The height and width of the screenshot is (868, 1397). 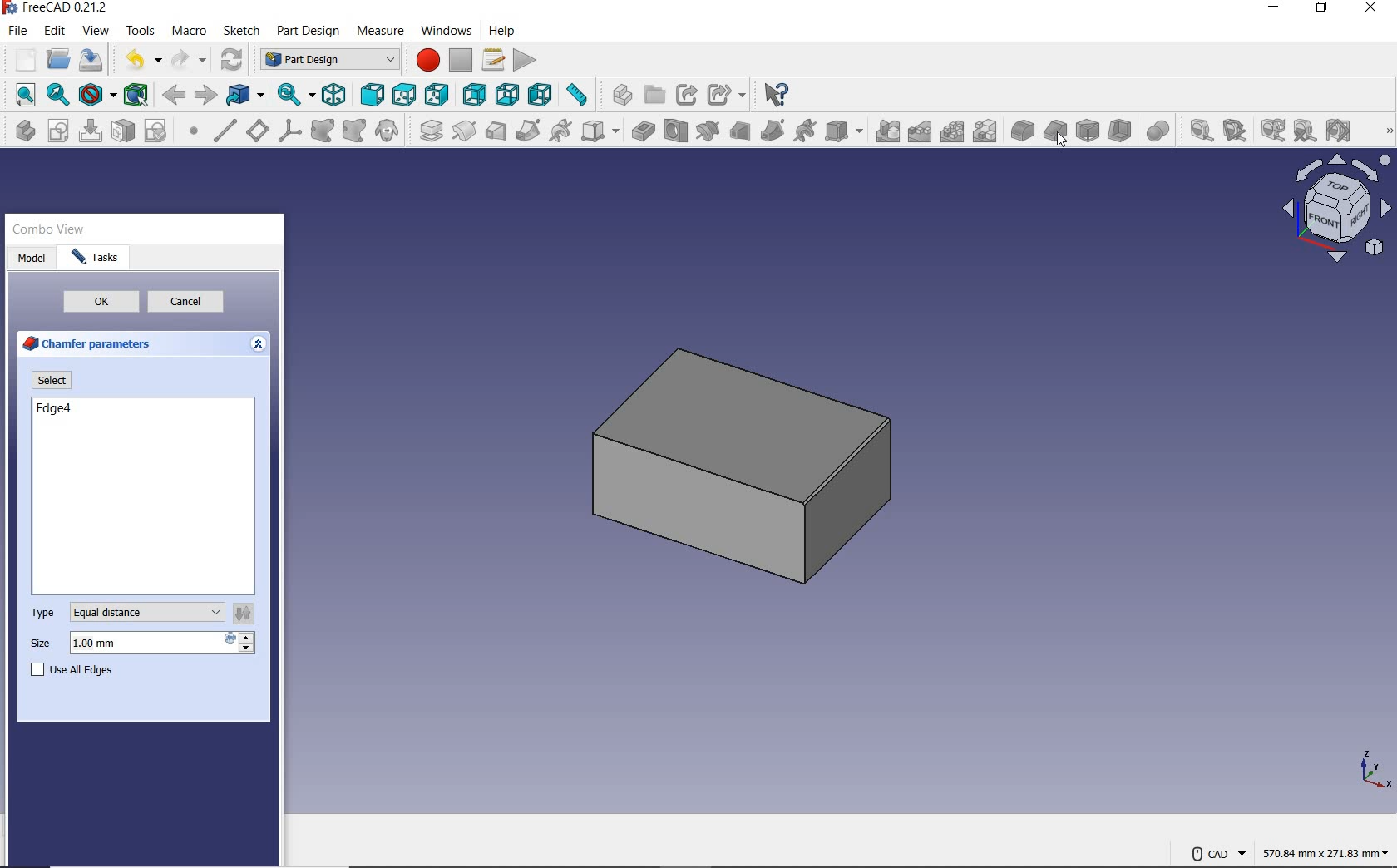 What do you see at coordinates (146, 643) in the screenshot?
I see `1.00 mm` at bounding box center [146, 643].